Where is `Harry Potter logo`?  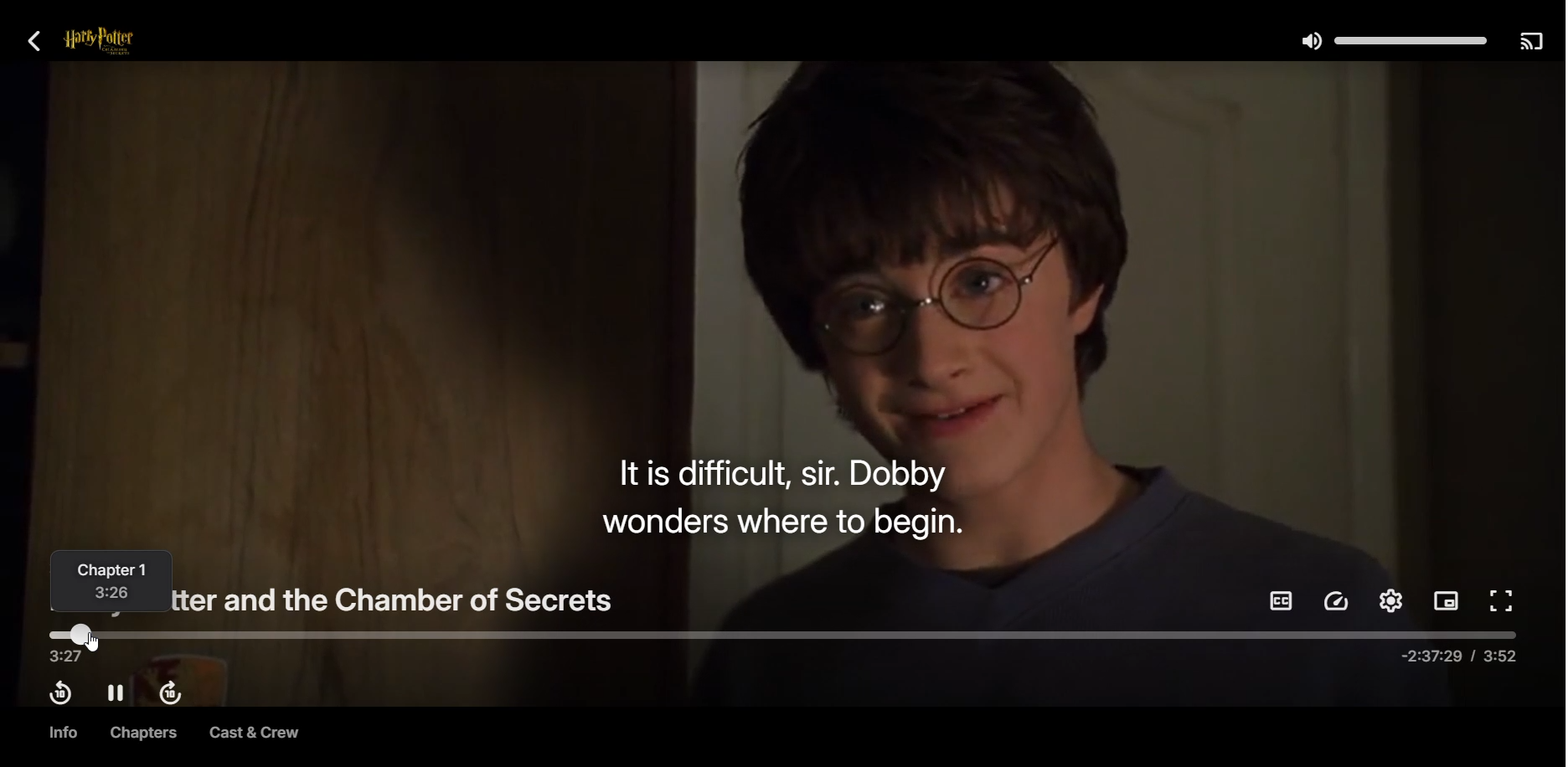
Harry Potter logo is located at coordinates (121, 42).